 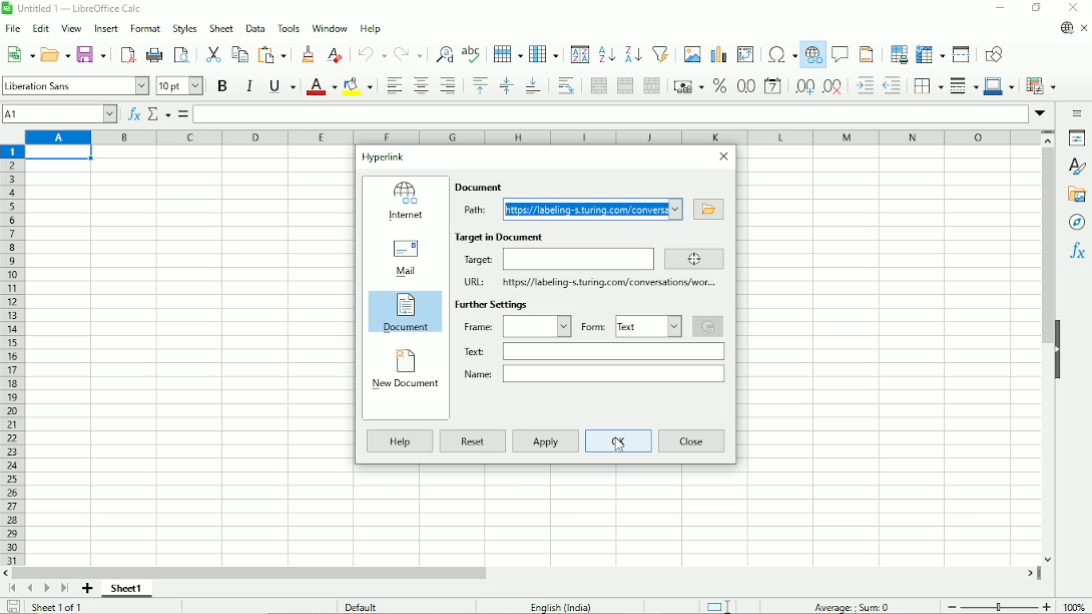 What do you see at coordinates (186, 28) in the screenshot?
I see `styles` at bounding box center [186, 28].